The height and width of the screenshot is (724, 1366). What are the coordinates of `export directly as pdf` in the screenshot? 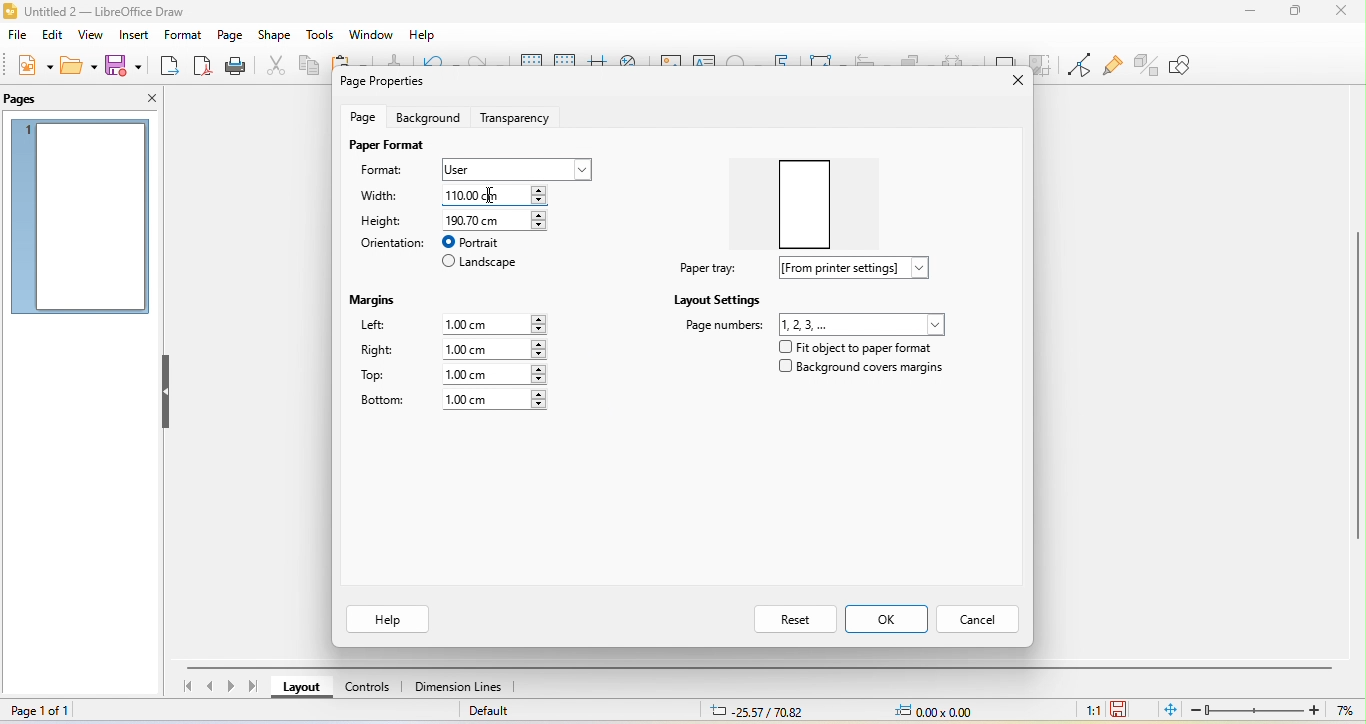 It's located at (202, 66).